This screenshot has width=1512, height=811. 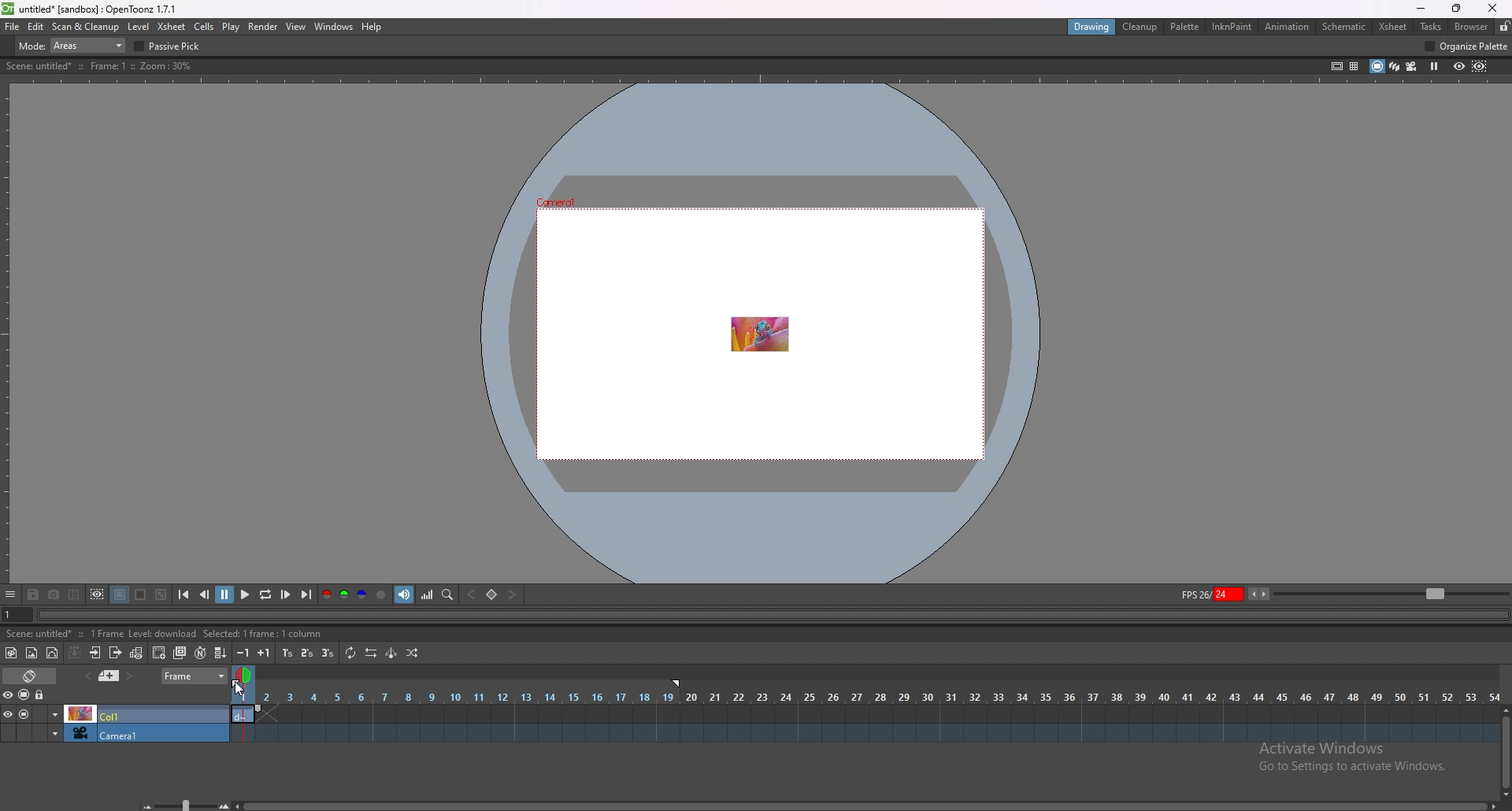 I want to click on loop, so click(x=266, y=594).